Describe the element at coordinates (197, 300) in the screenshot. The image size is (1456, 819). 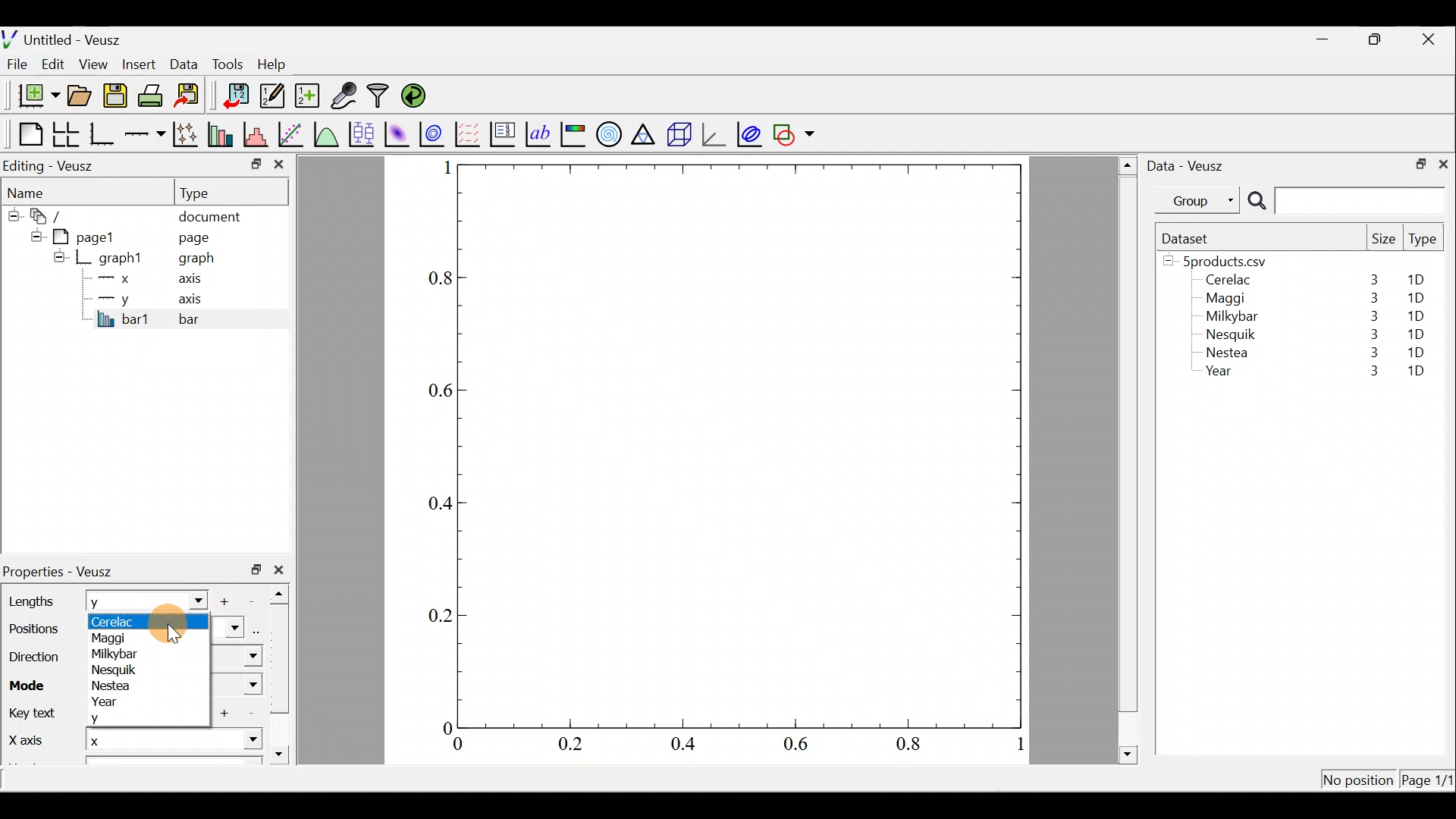
I see `axis` at that location.